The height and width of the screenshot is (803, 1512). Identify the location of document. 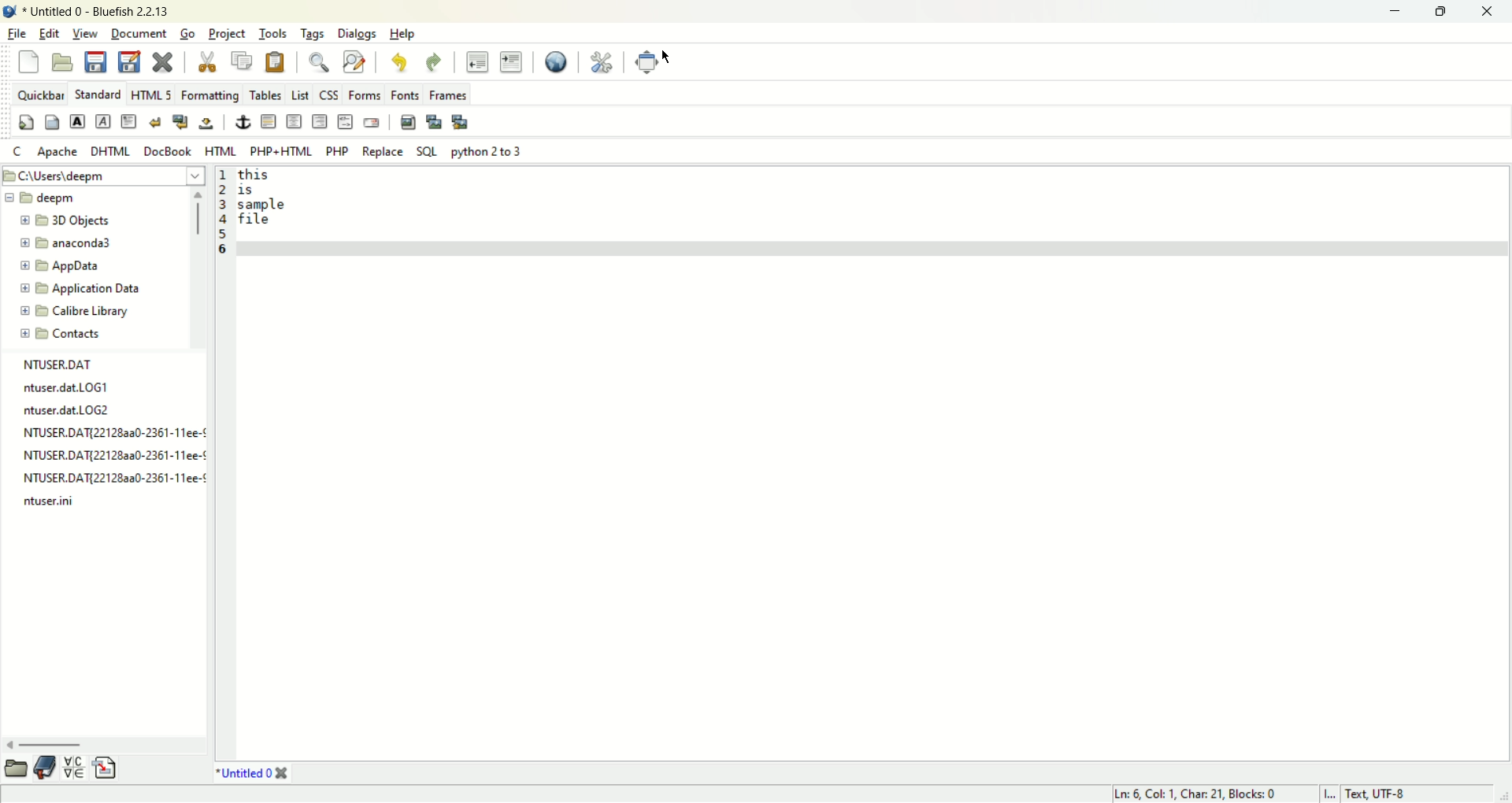
(137, 34).